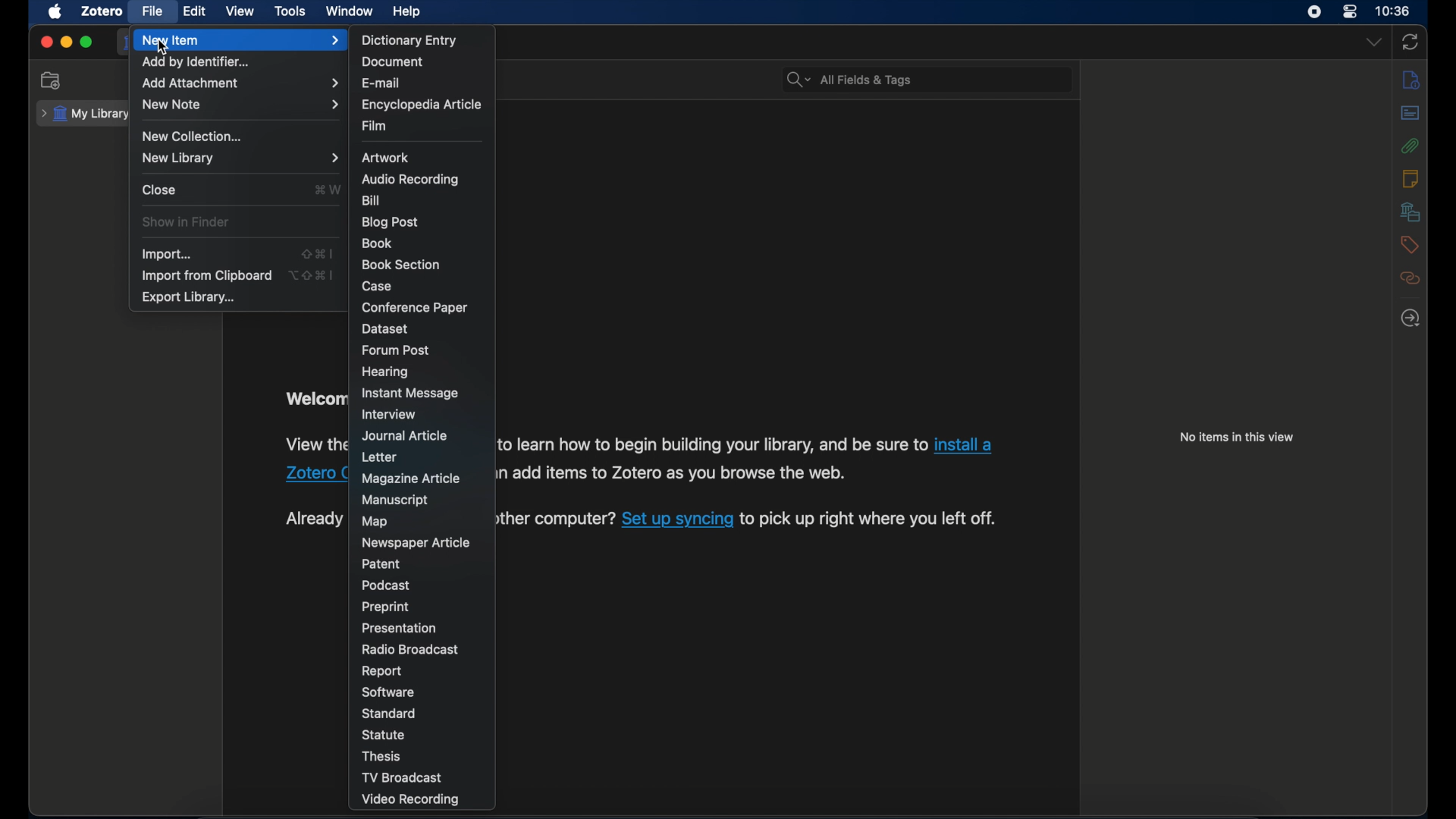 The width and height of the screenshot is (1456, 819). Describe the element at coordinates (242, 158) in the screenshot. I see `new library` at that location.